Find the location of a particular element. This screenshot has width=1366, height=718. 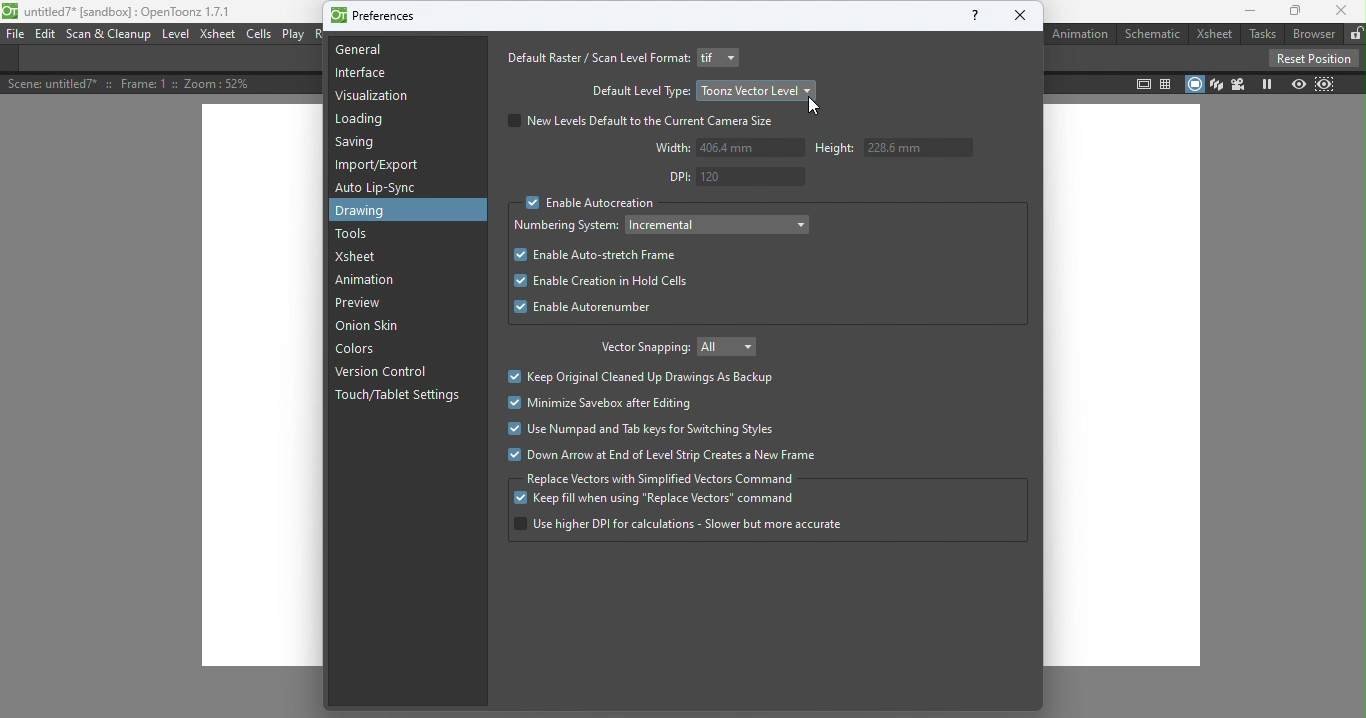

level is located at coordinates (178, 35).